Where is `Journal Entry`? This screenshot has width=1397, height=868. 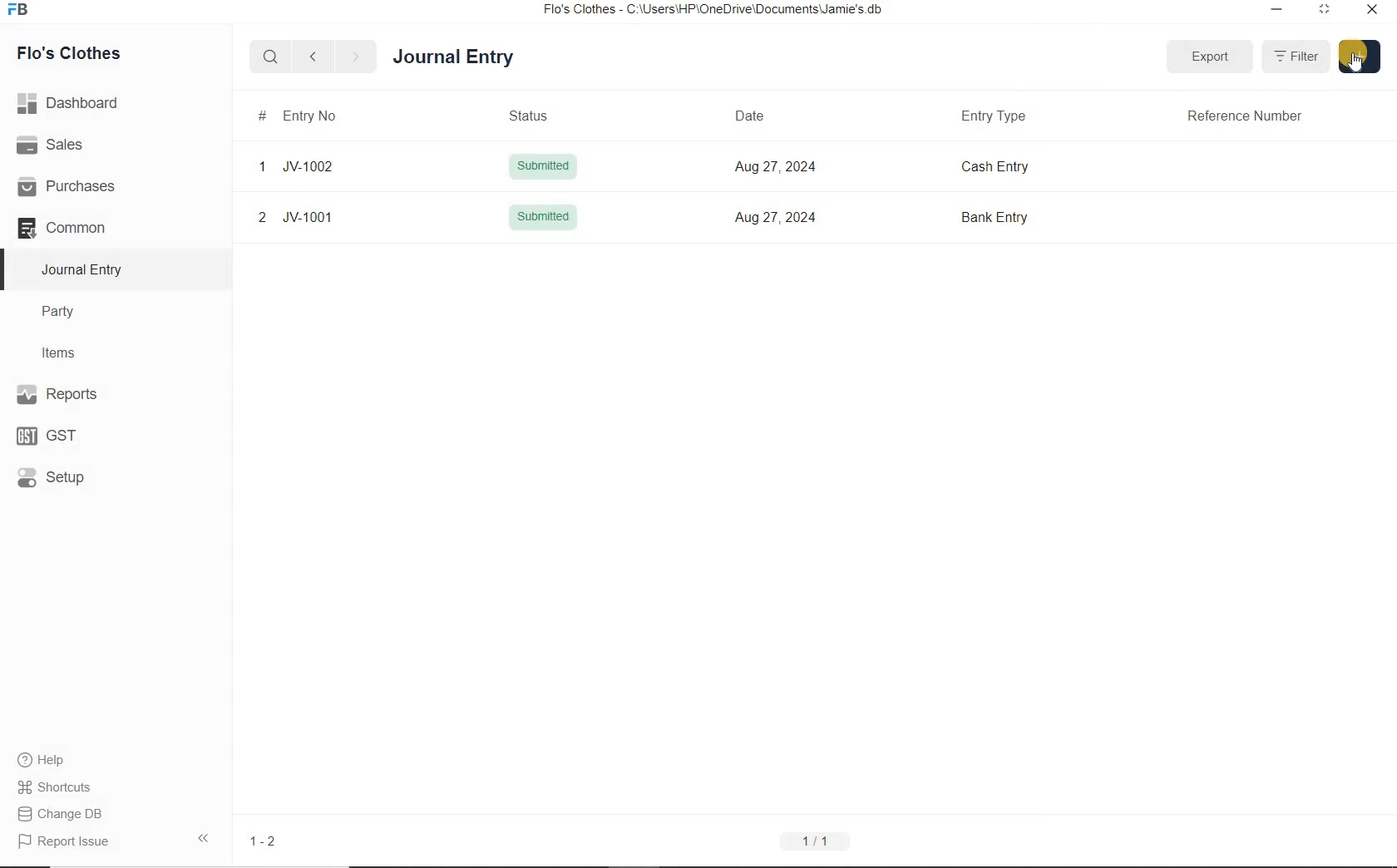
Journal Entry is located at coordinates (483, 55).